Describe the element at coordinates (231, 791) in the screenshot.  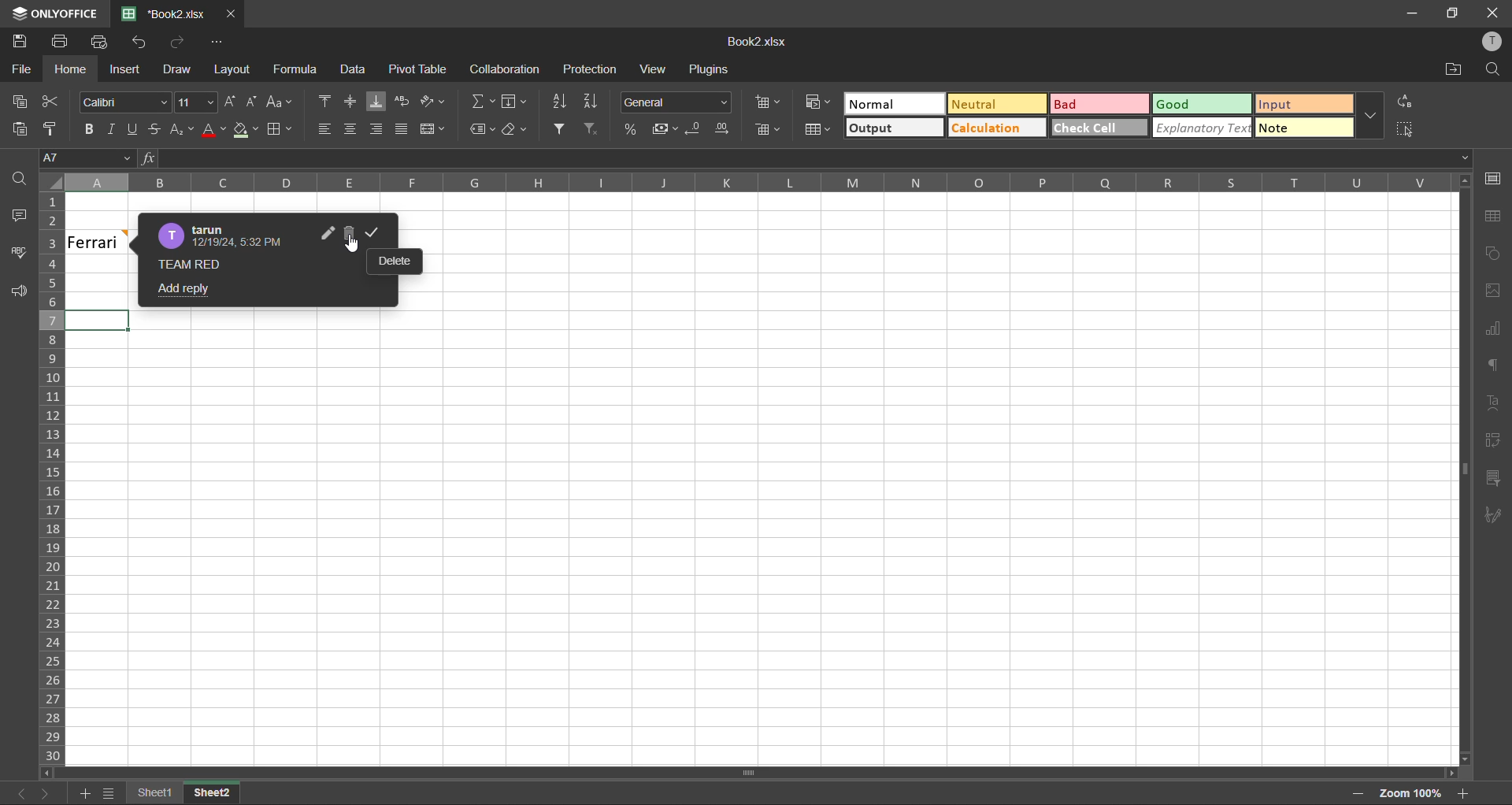
I see `sheet 2` at that location.